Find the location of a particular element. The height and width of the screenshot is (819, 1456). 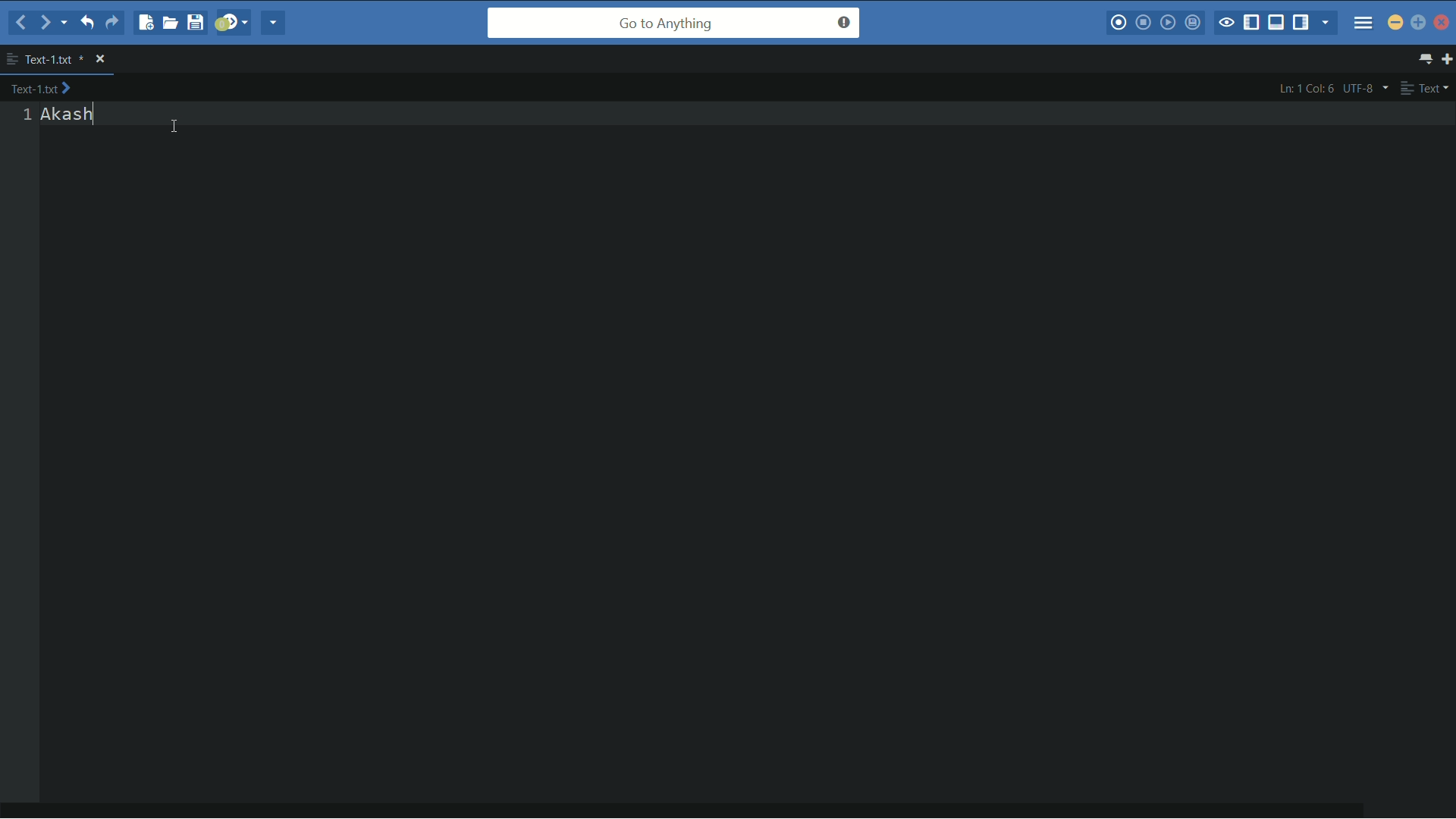

new file is located at coordinates (144, 22).